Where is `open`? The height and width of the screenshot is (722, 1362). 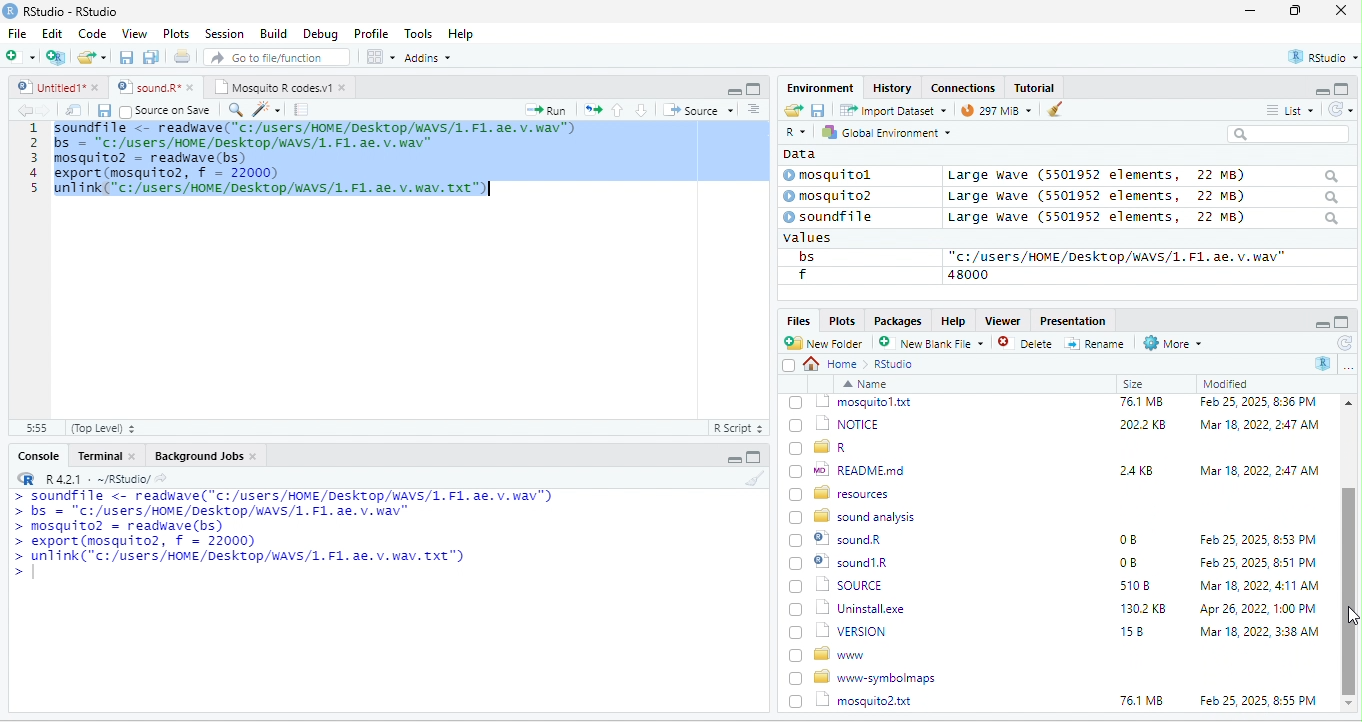 open is located at coordinates (74, 110).